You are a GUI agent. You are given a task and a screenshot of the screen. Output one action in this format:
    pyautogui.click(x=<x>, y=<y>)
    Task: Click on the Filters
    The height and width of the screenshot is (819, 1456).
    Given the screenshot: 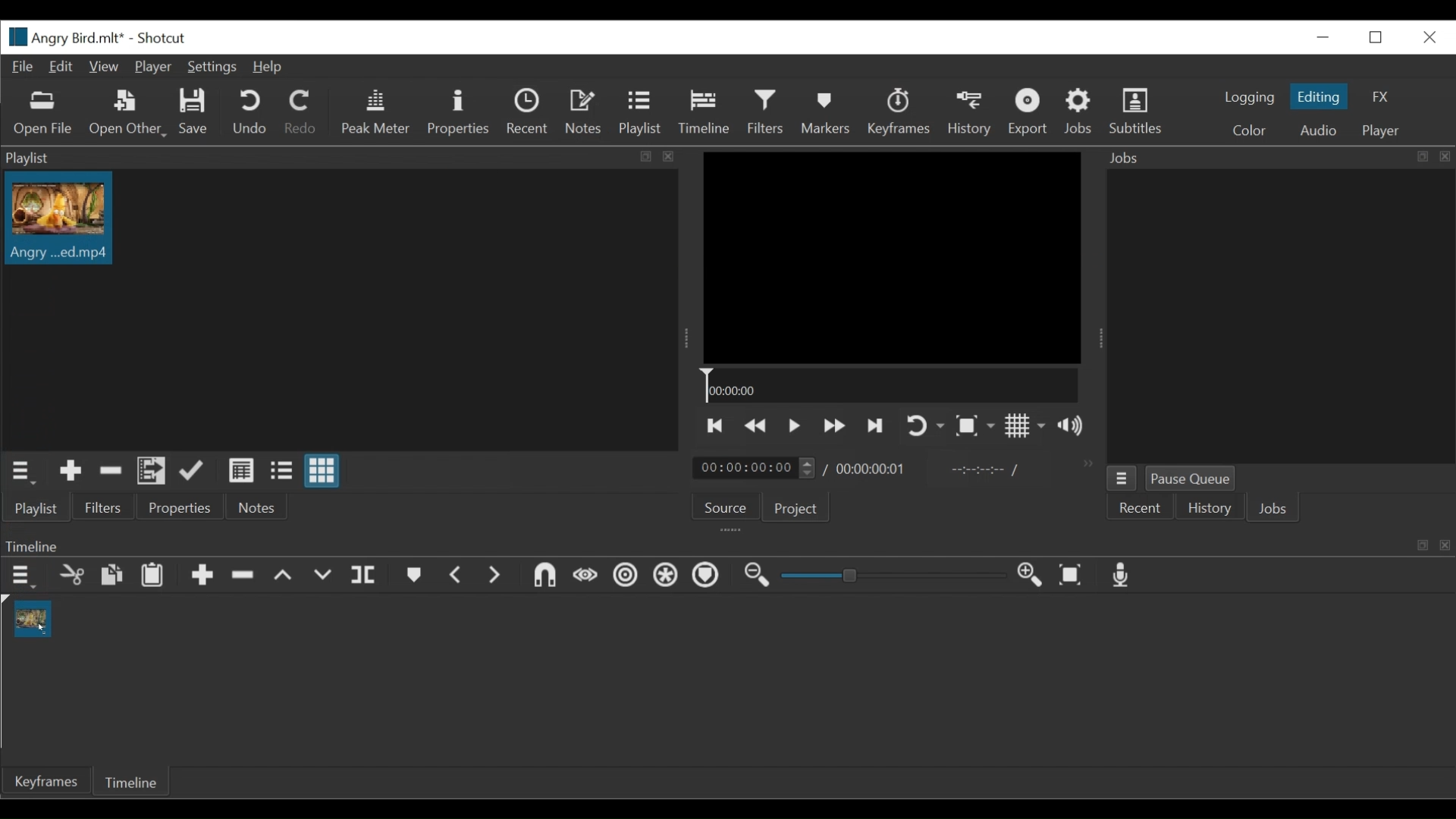 What is the action you would take?
    pyautogui.click(x=104, y=507)
    